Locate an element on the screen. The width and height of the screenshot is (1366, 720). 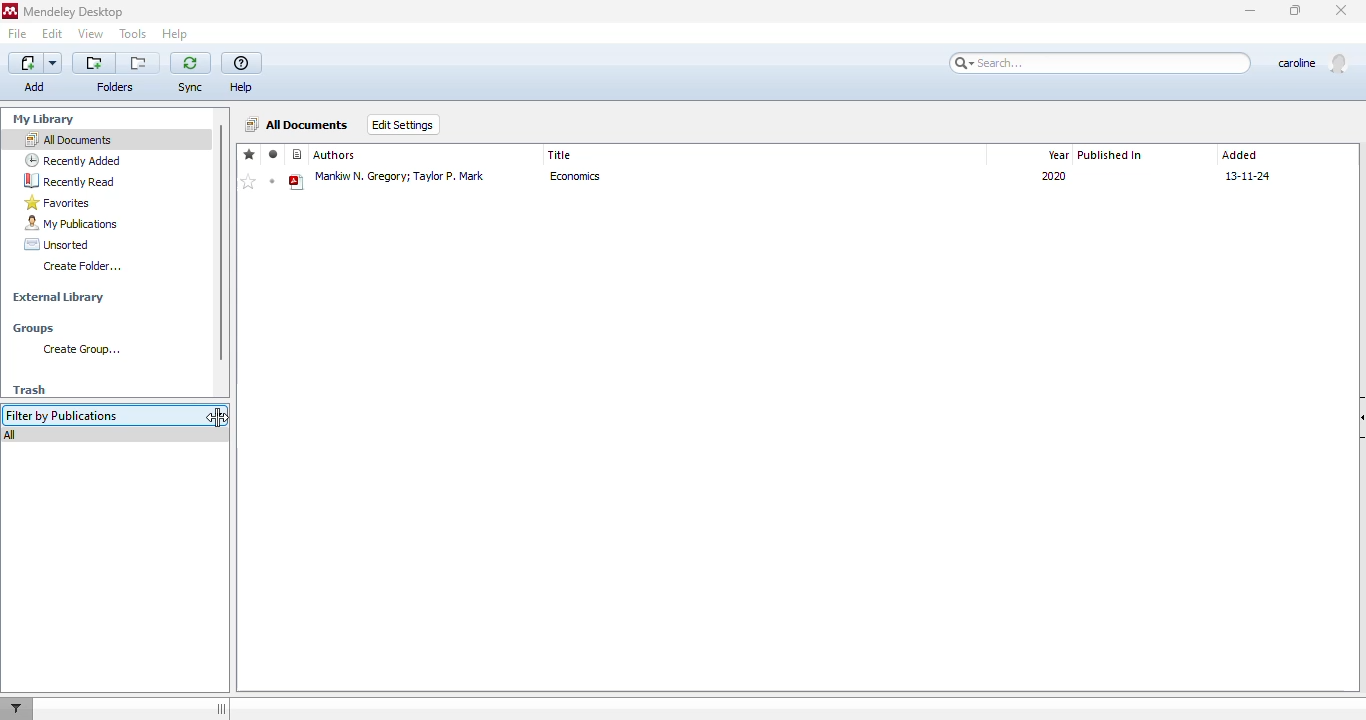
cursor is located at coordinates (218, 417).